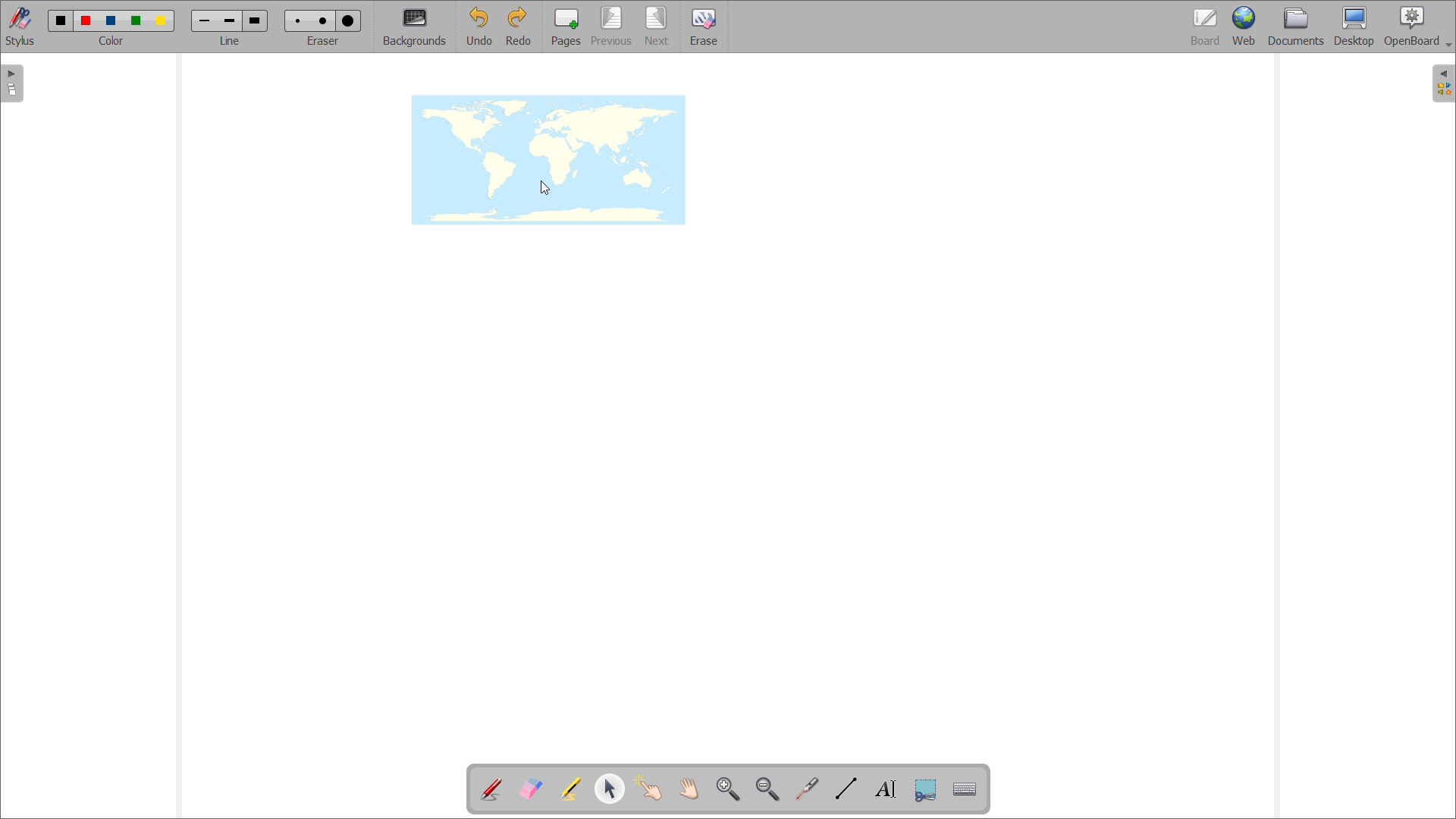 The height and width of the screenshot is (819, 1456). Describe the element at coordinates (322, 42) in the screenshot. I see `eraser` at that location.